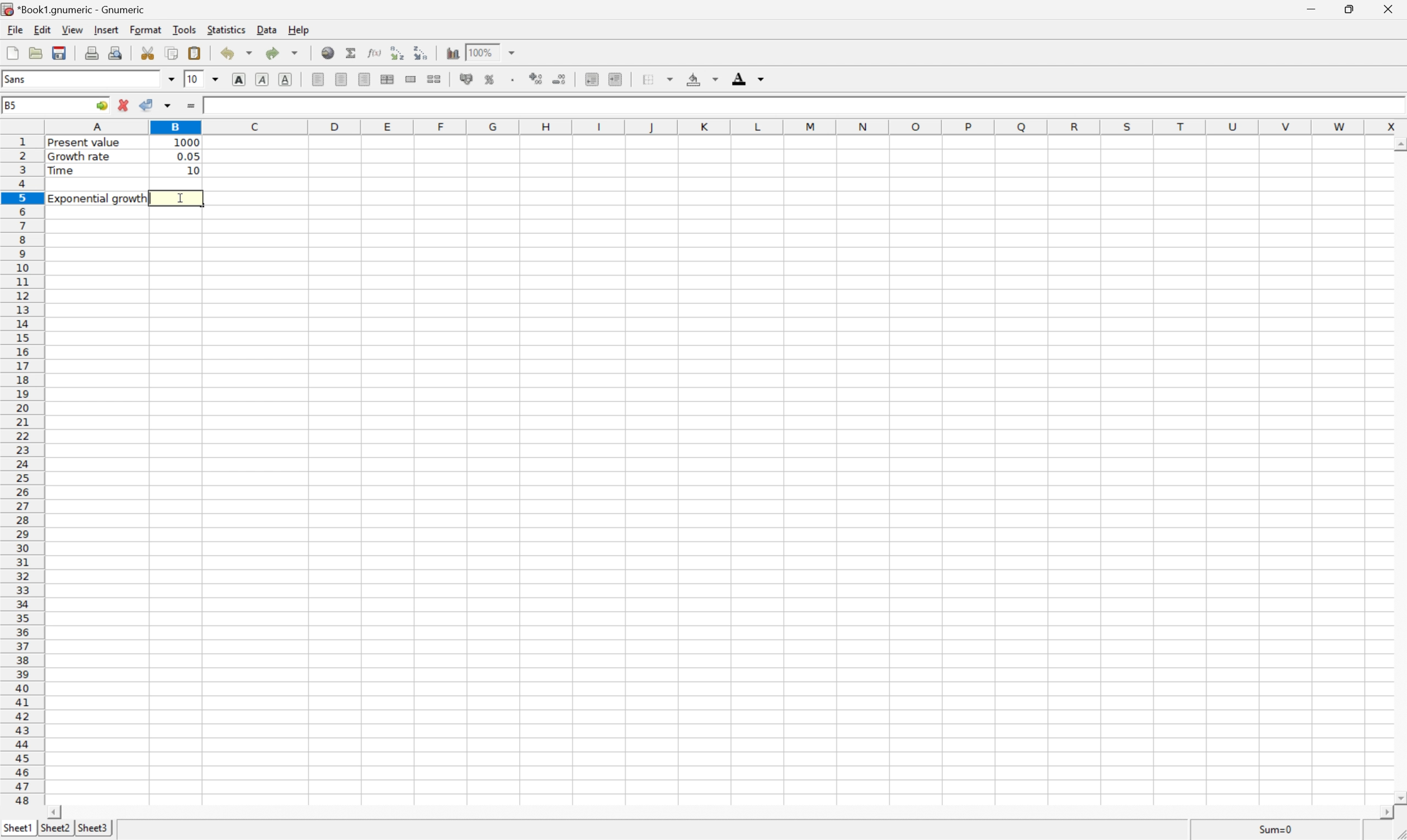 The width and height of the screenshot is (1407, 840). Describe the element at coordinates (172, 52) in the screenshot. I see `Copy the selection` at that location.